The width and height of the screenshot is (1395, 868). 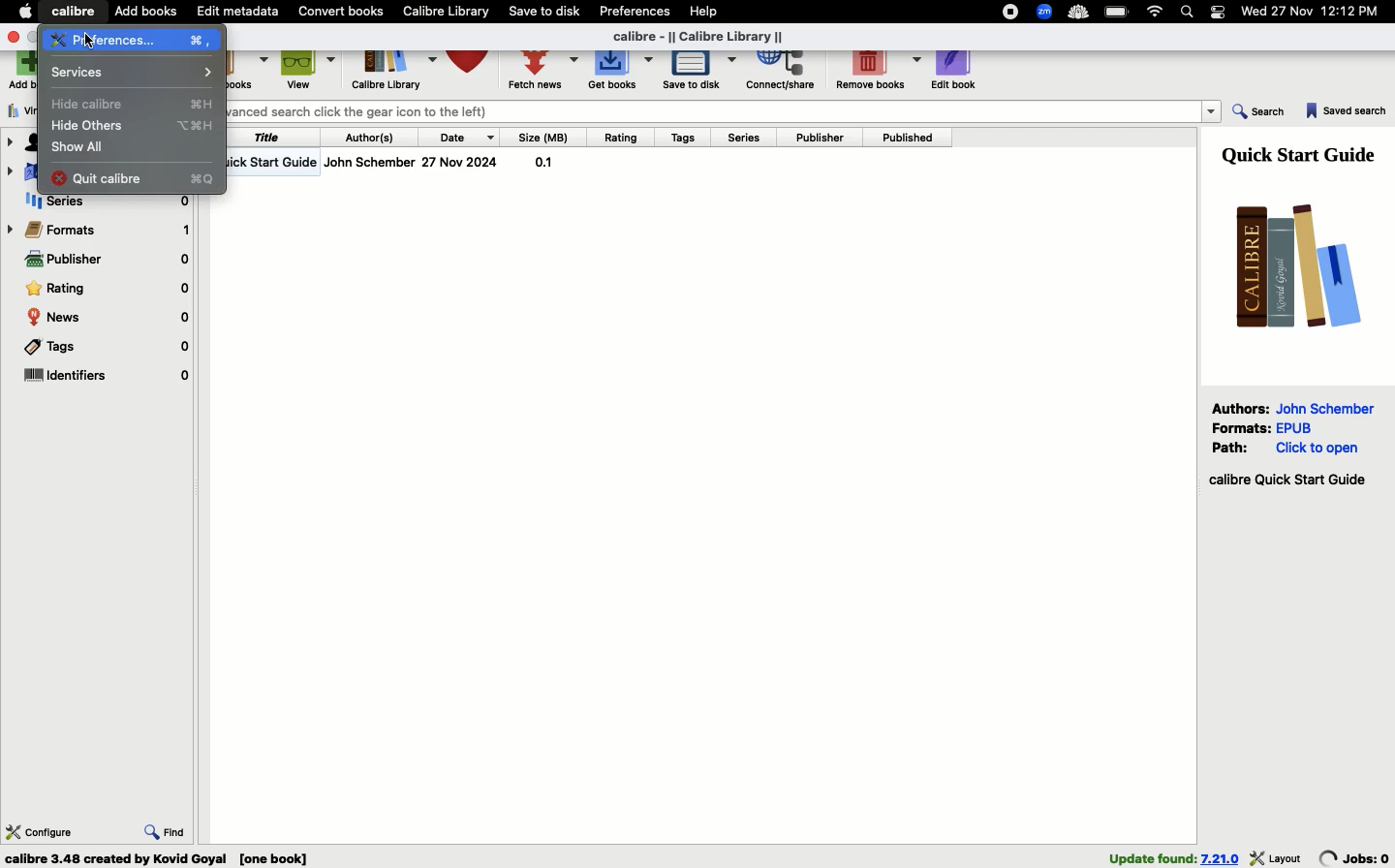 What do you see at coordinates (623, 73) in the screenshot?
I see `Get books` at bounding box center [623, 73].